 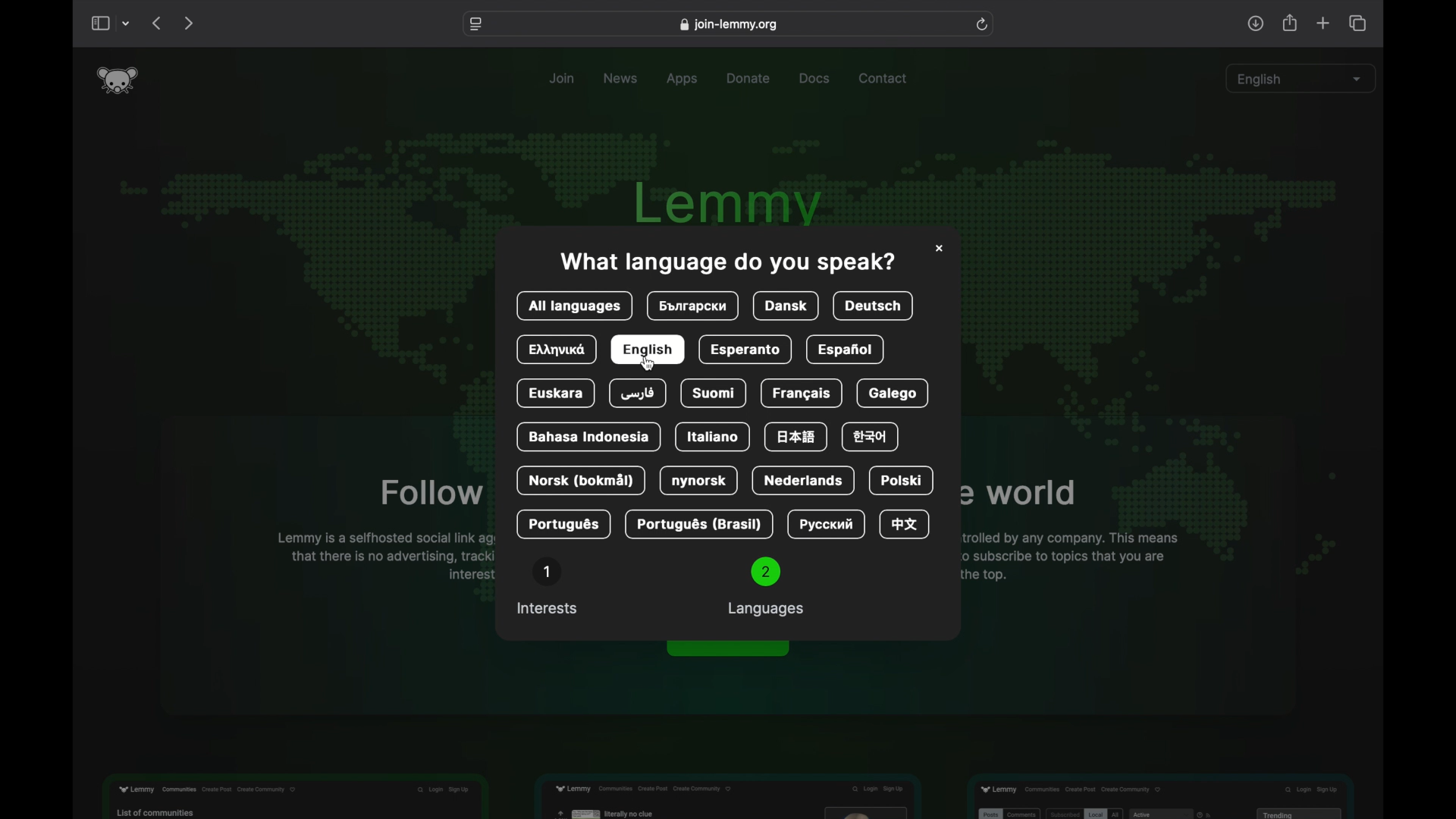 I want to click on norsk, so click(x=581, y=481).